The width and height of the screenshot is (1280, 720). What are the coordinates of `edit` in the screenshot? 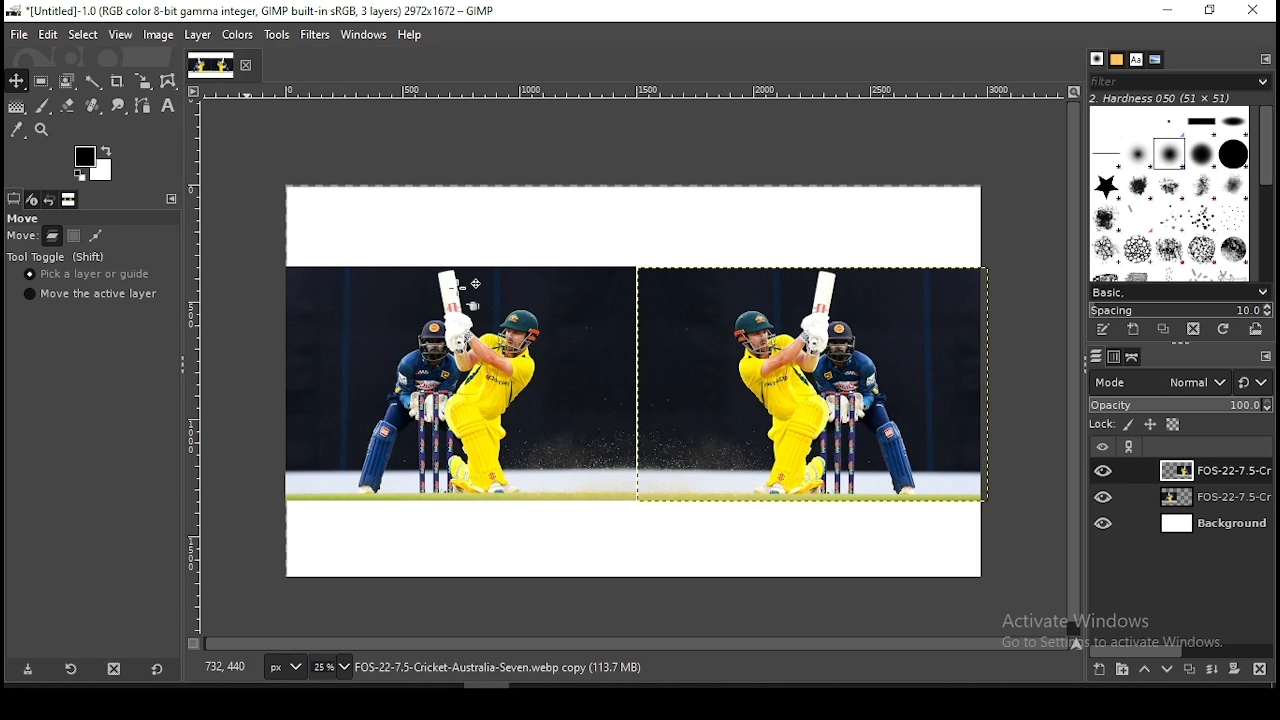 It's located at (50, 34).